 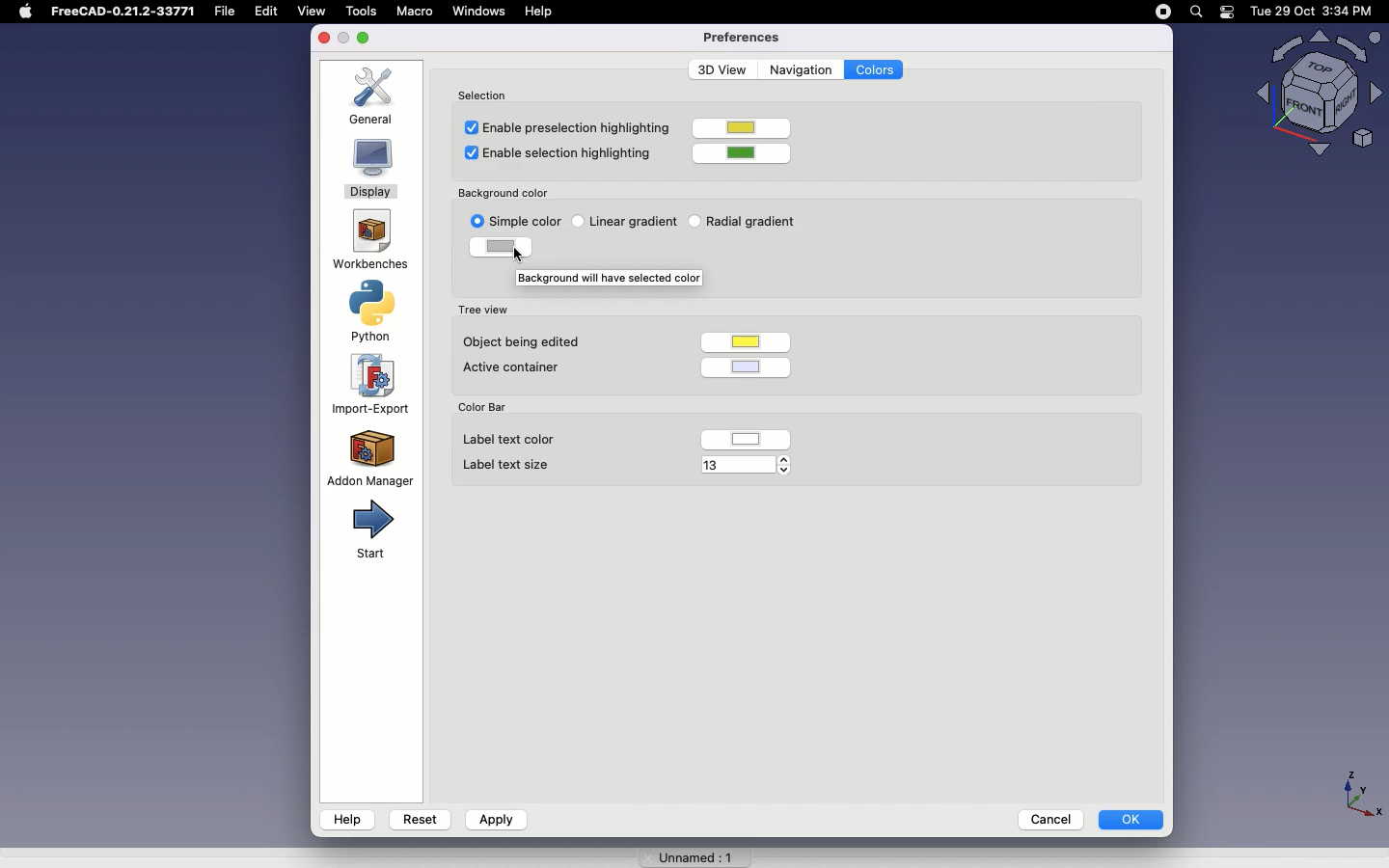 What do you see at coordinates (504, 247) in the screenshot?
I see `color` at bounding box center [504, 247].